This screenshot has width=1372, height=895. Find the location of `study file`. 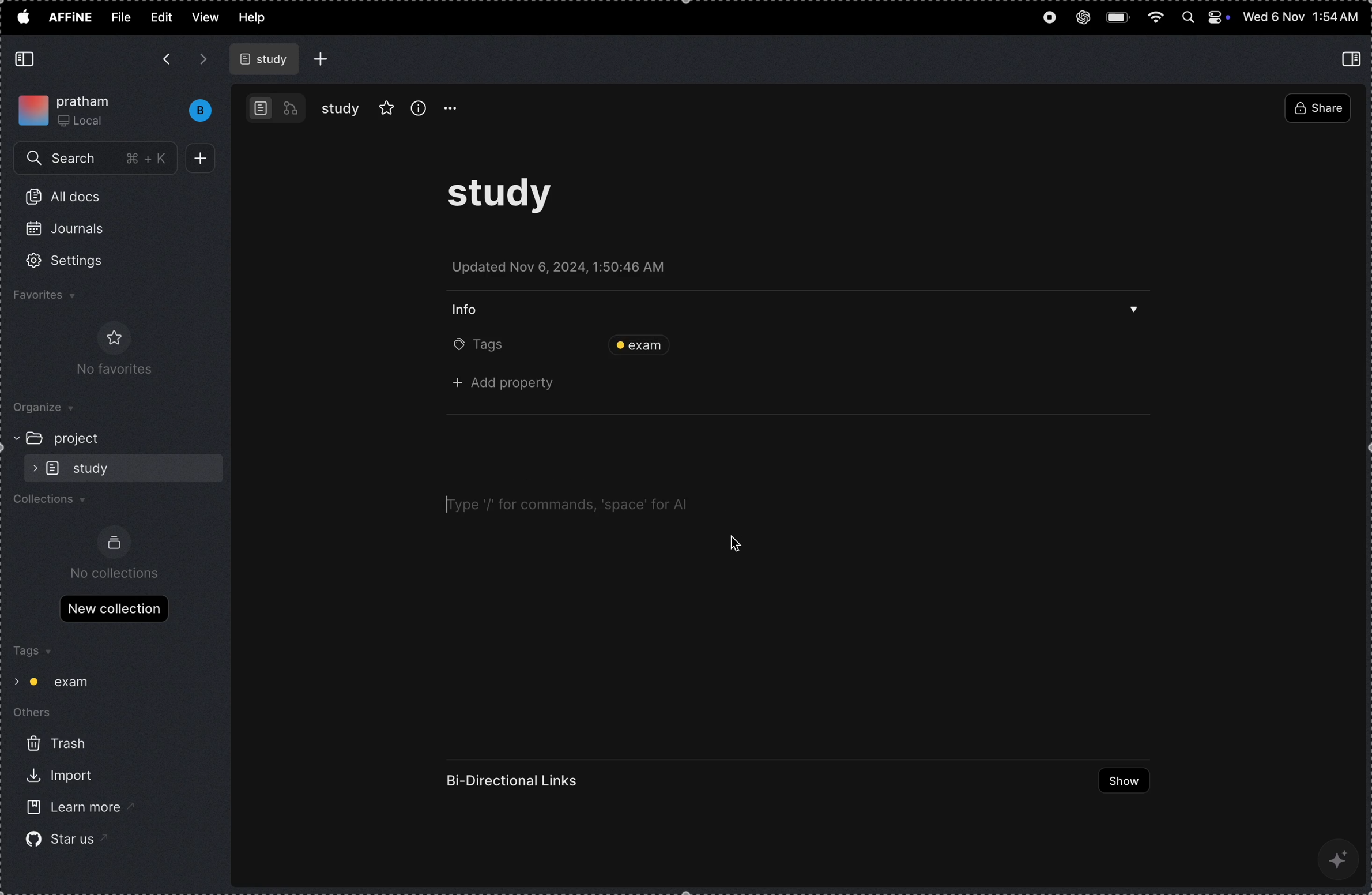

study file is located at coordinates (266, 59).